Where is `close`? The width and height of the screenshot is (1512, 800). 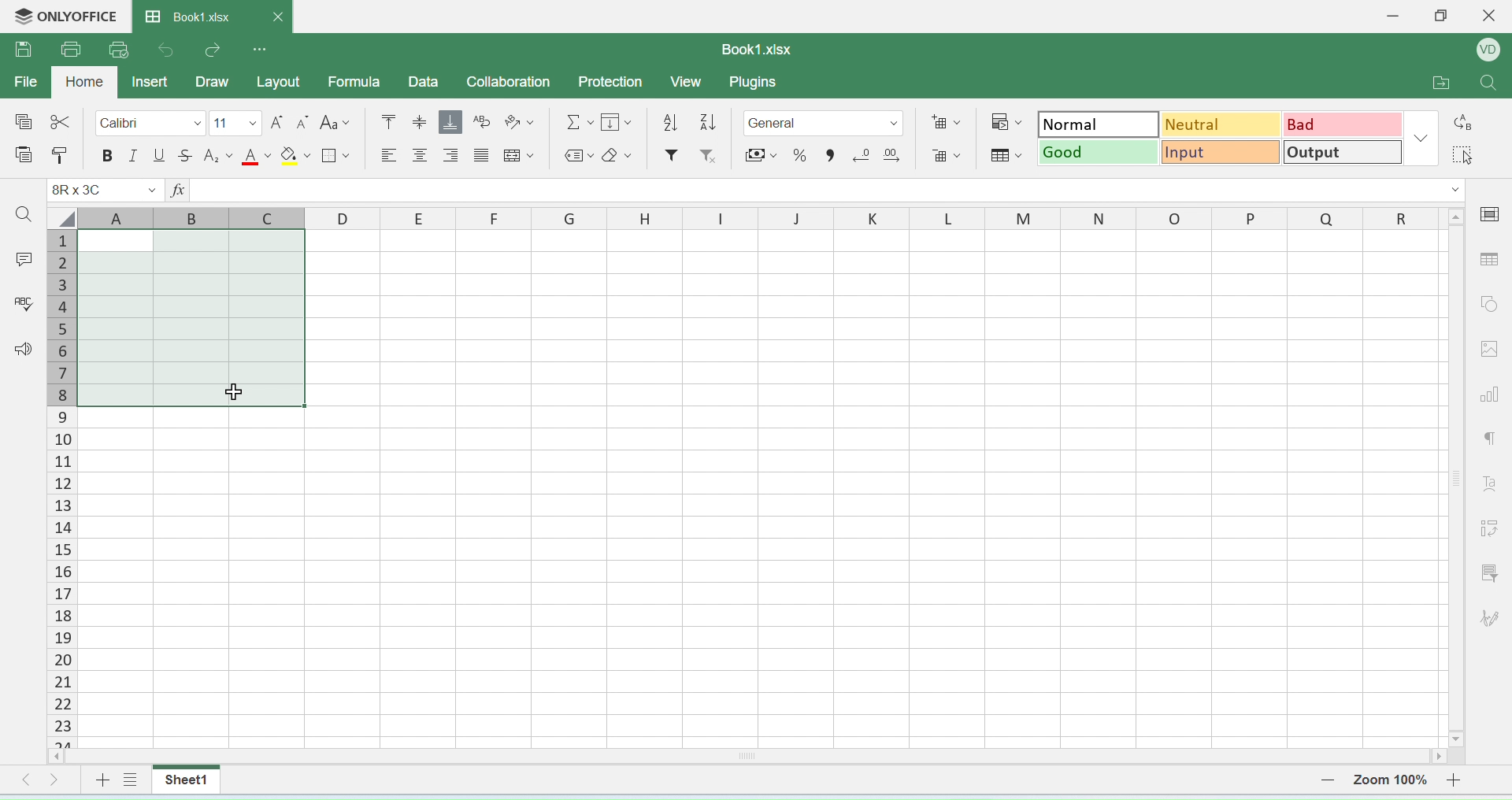 close is located at coordinates (1492, 15).